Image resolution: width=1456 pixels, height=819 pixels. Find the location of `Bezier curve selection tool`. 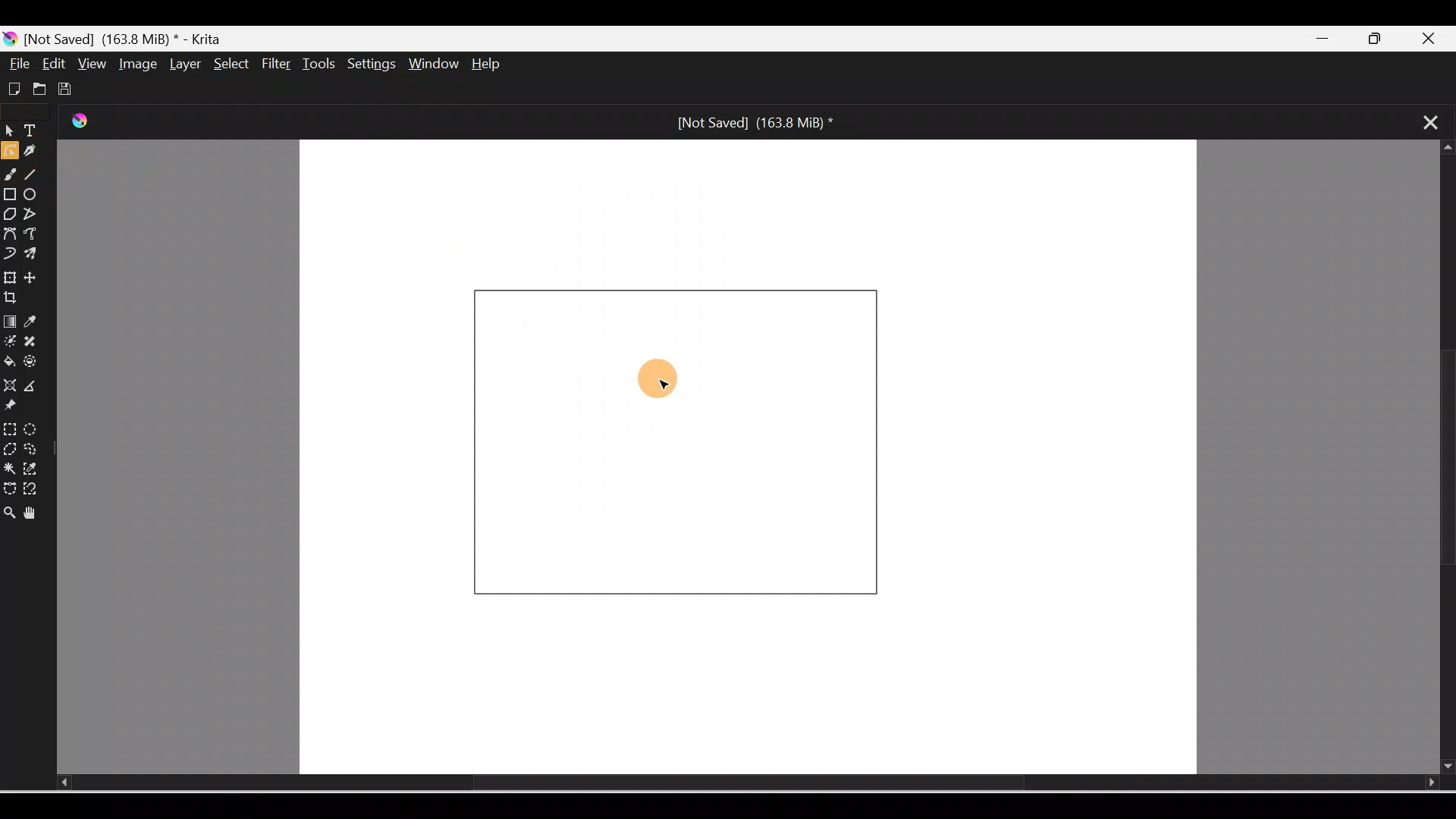

Bezier curve selection tool is located at coordinates (9, 485).